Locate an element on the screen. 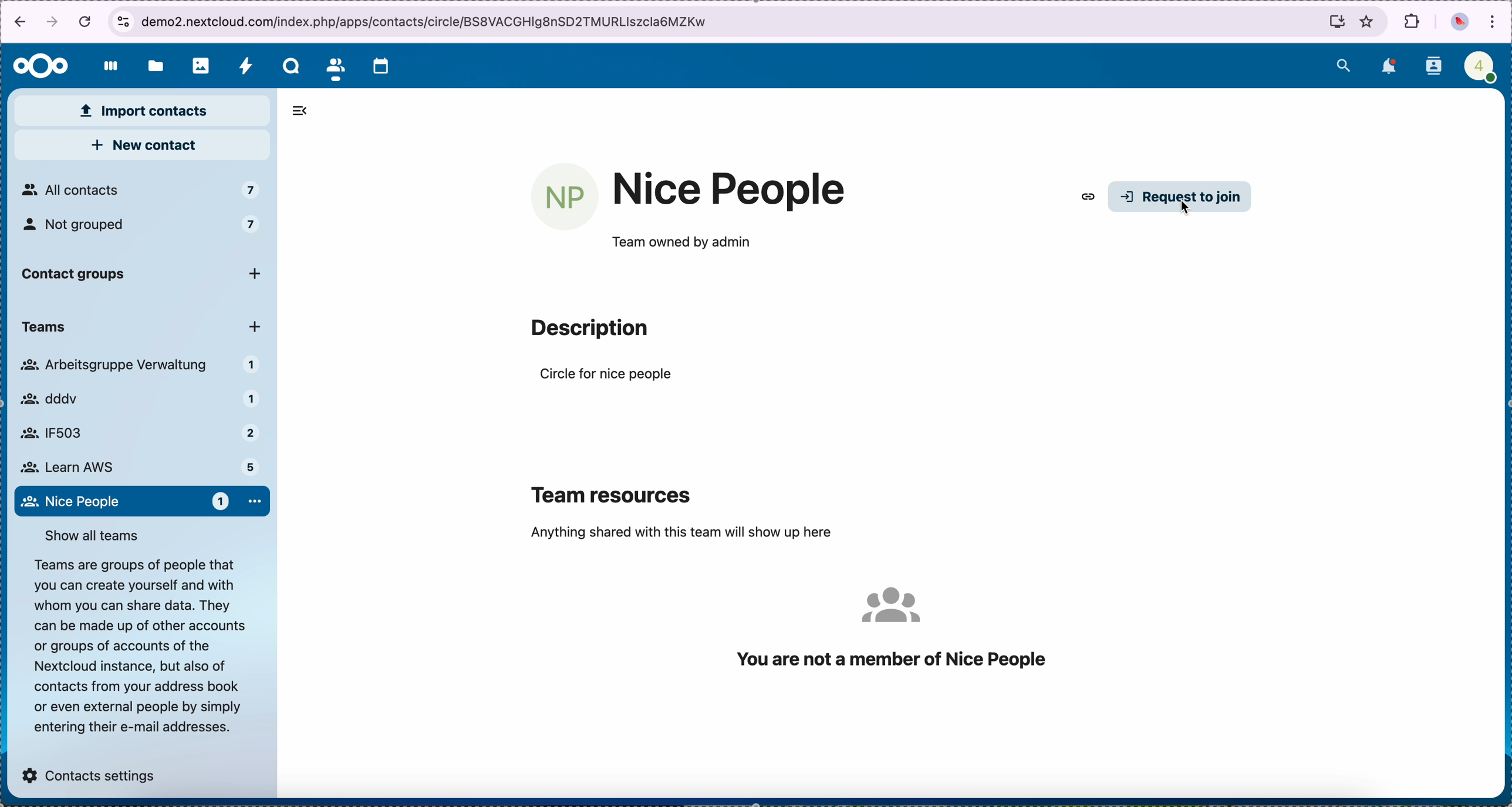  search is located at coordinates (1345, 64).